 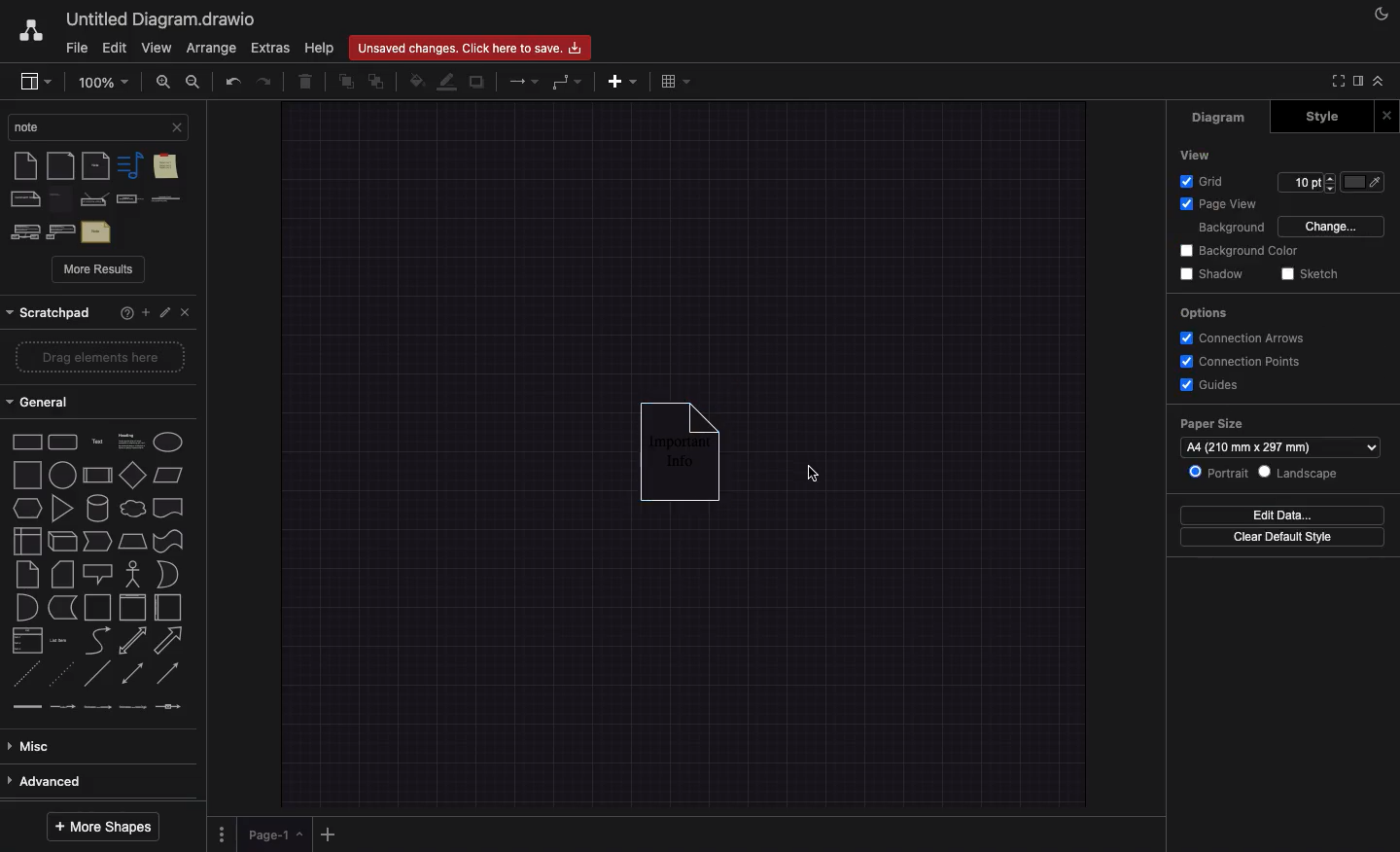 I want to click on connector with label, so click(x=63, y=712).